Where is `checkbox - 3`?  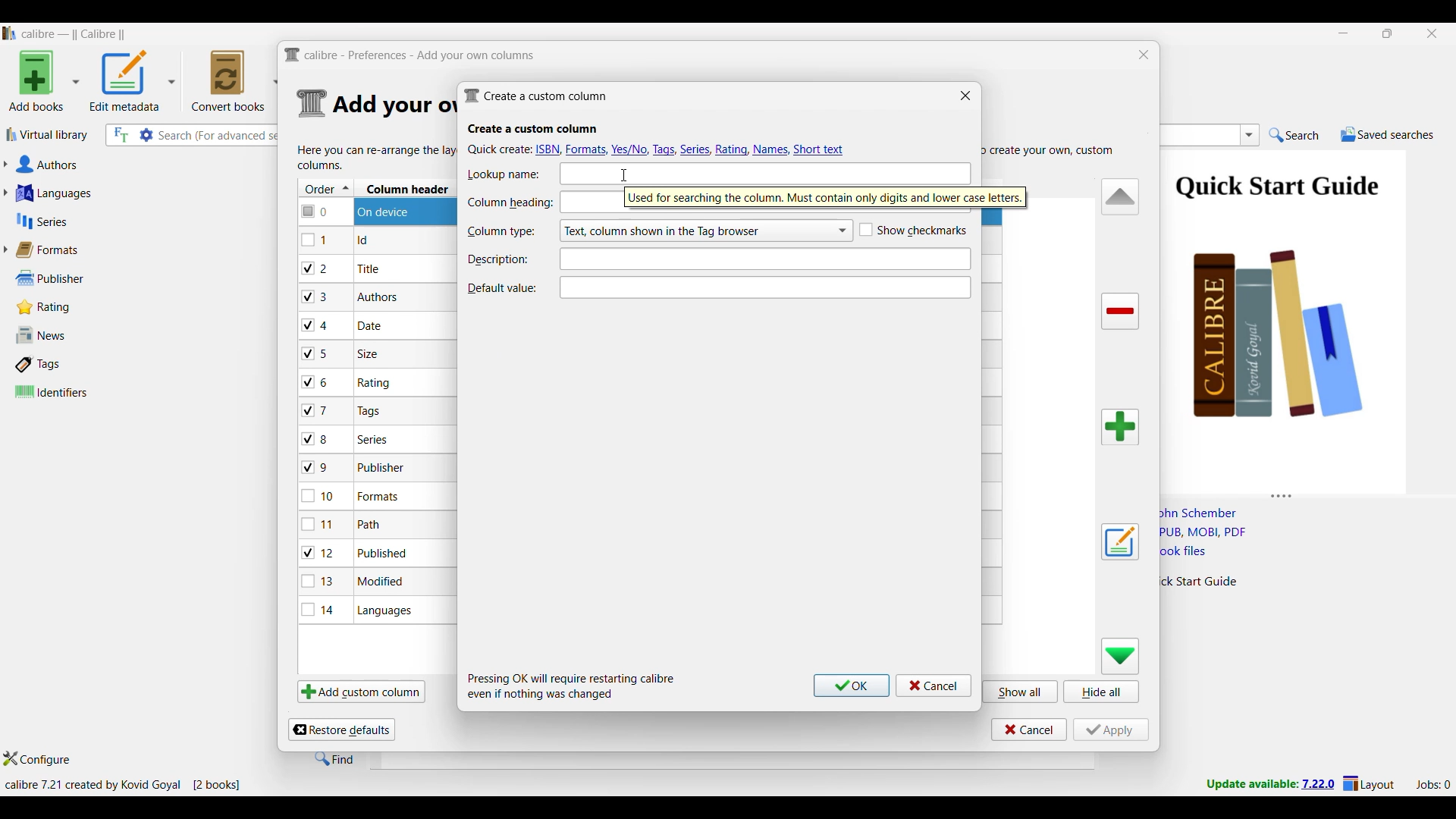 checkbox - 3 is located at coordinates (316, 297).